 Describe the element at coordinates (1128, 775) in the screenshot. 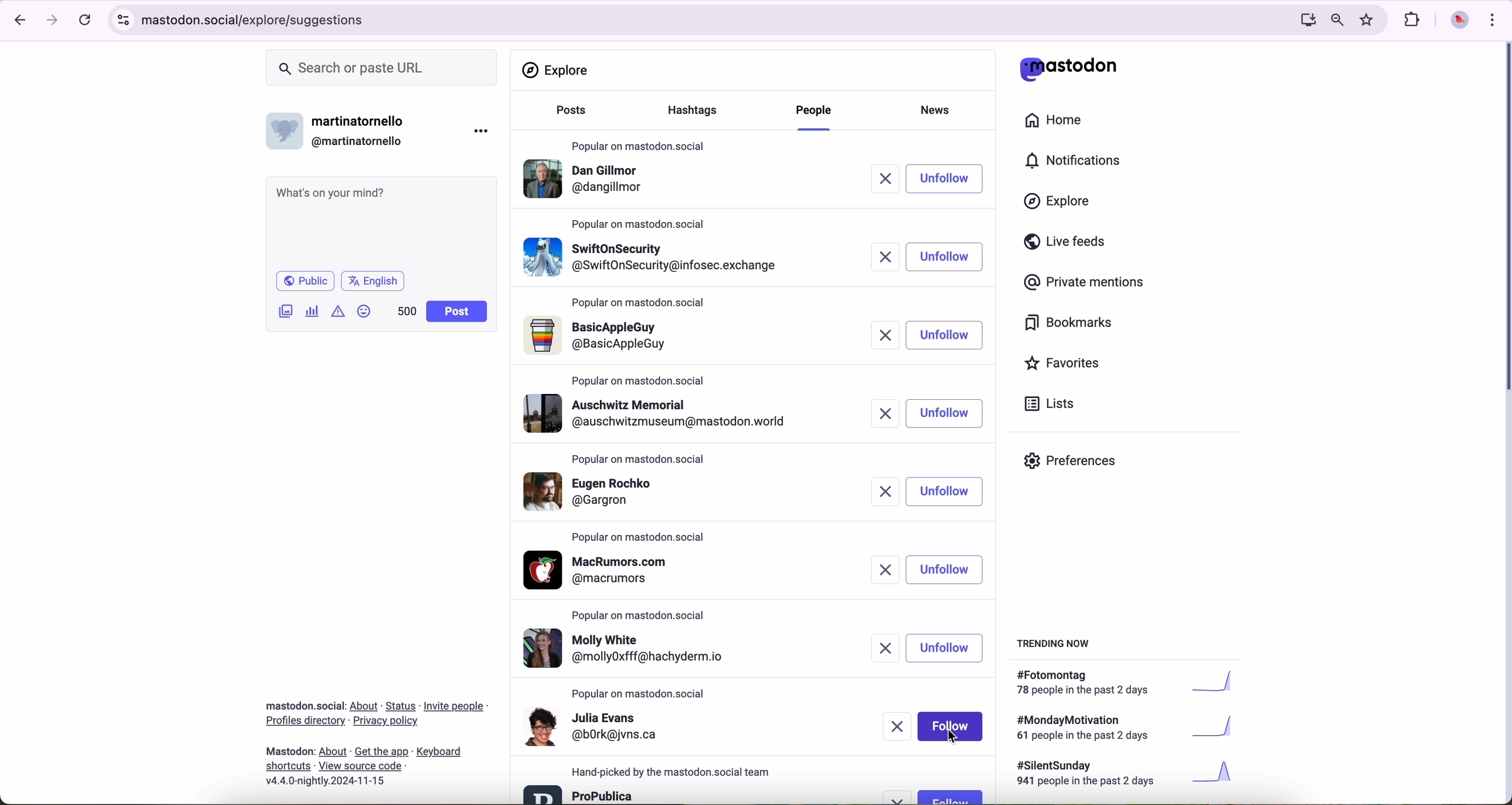

I see `#silentsunday` at that location.